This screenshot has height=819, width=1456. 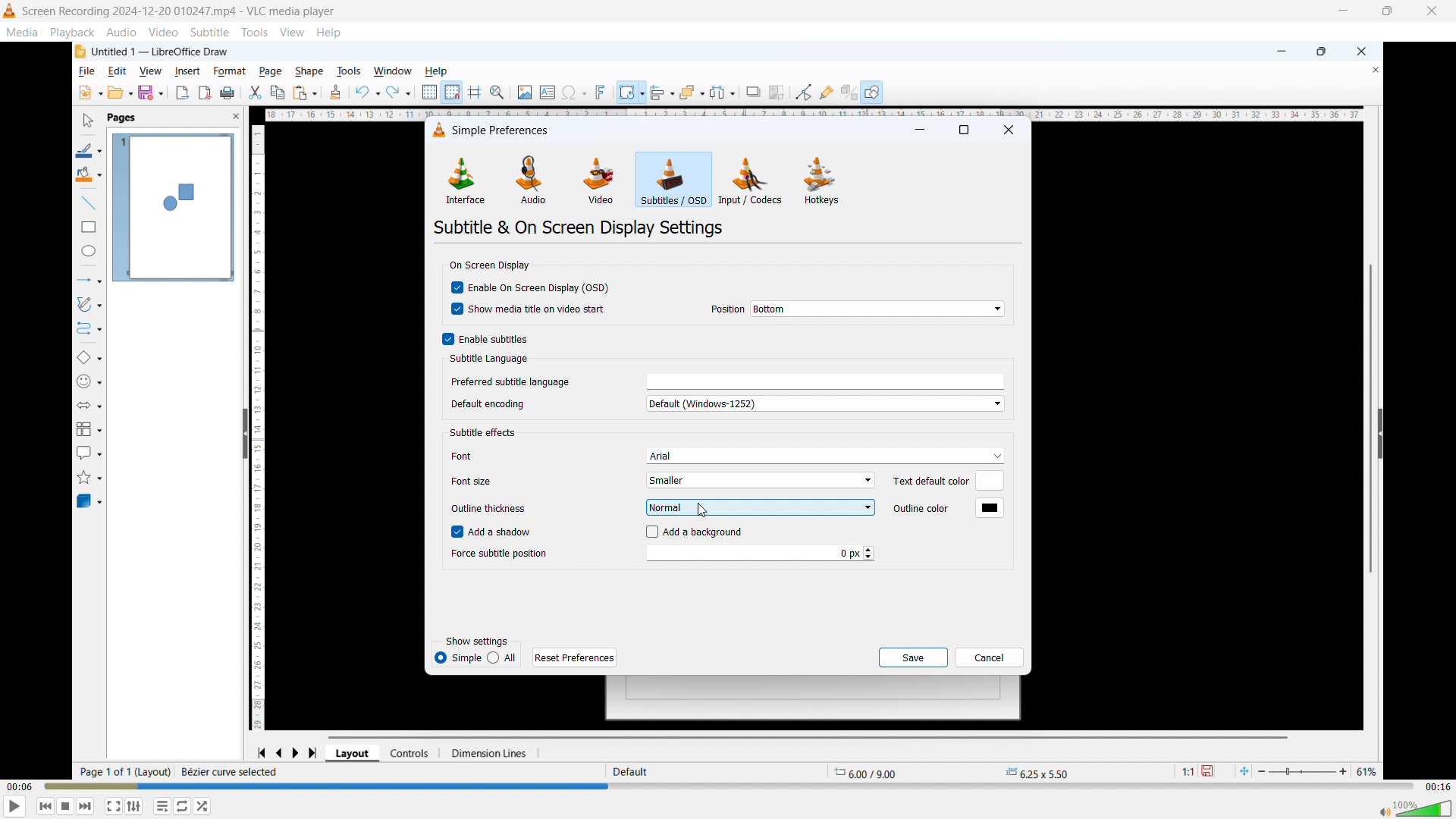 I want to click on Toggle playlist , so click(x=134, y=806).